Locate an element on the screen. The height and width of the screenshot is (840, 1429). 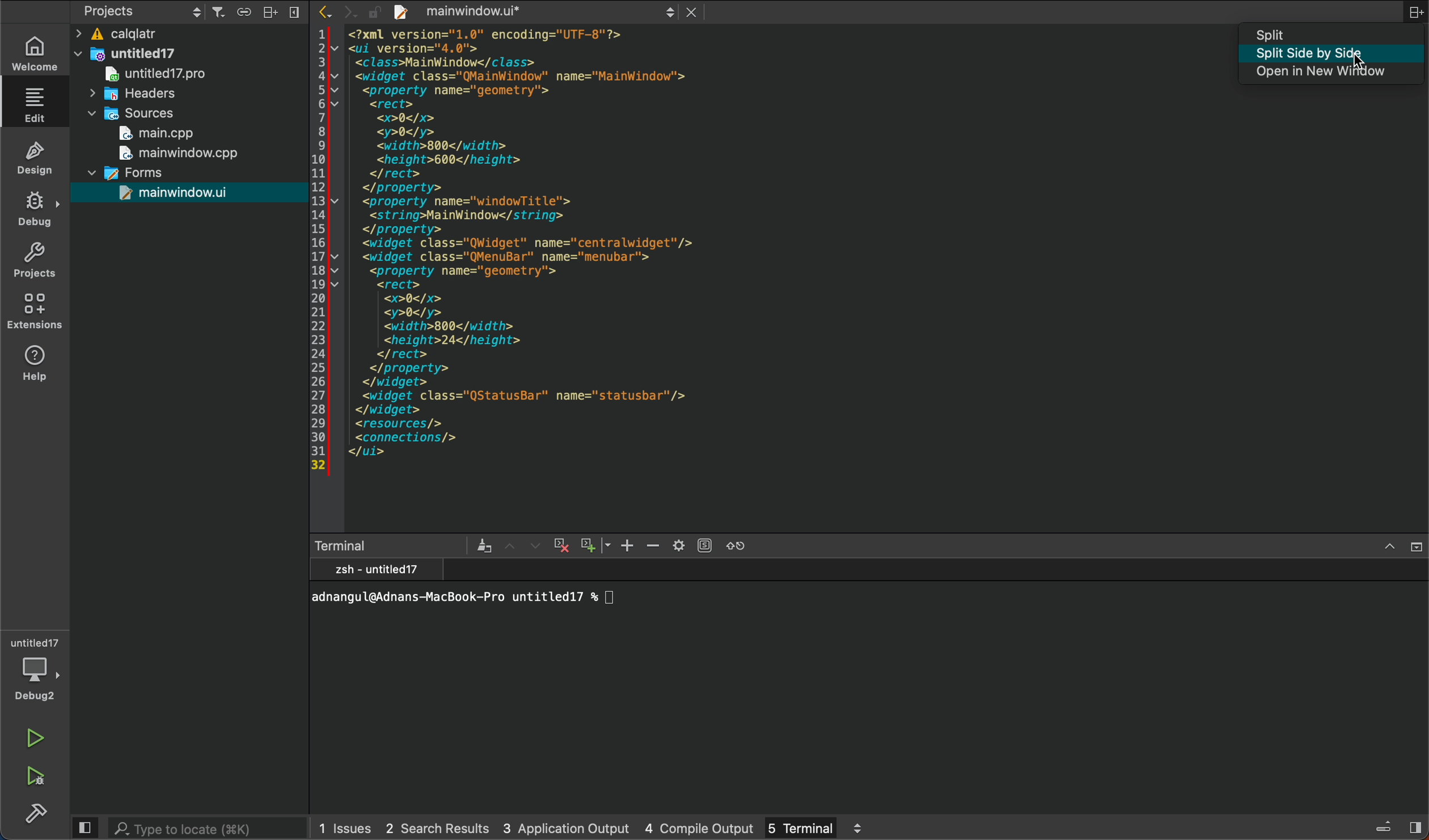
issues is located at coordinates (346, 827).